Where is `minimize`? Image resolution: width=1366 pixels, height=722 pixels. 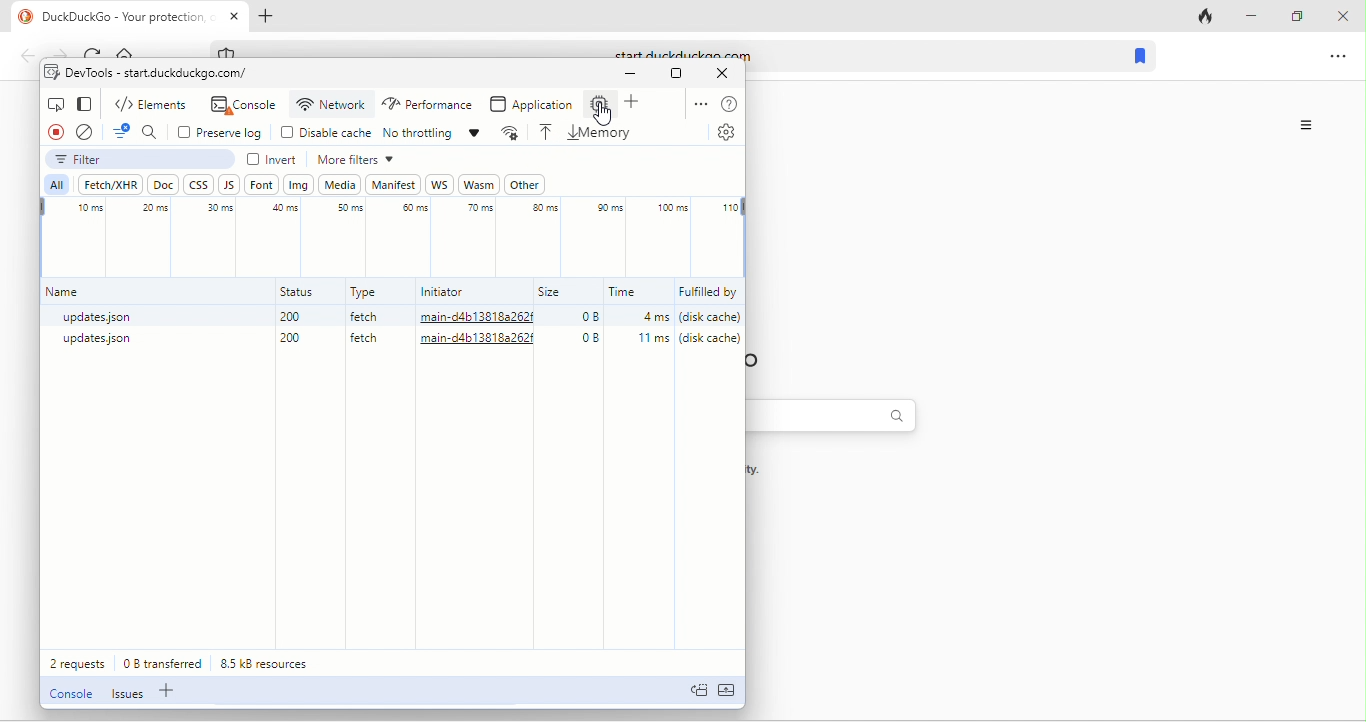
minimize is located at coordinates (1254, 13).